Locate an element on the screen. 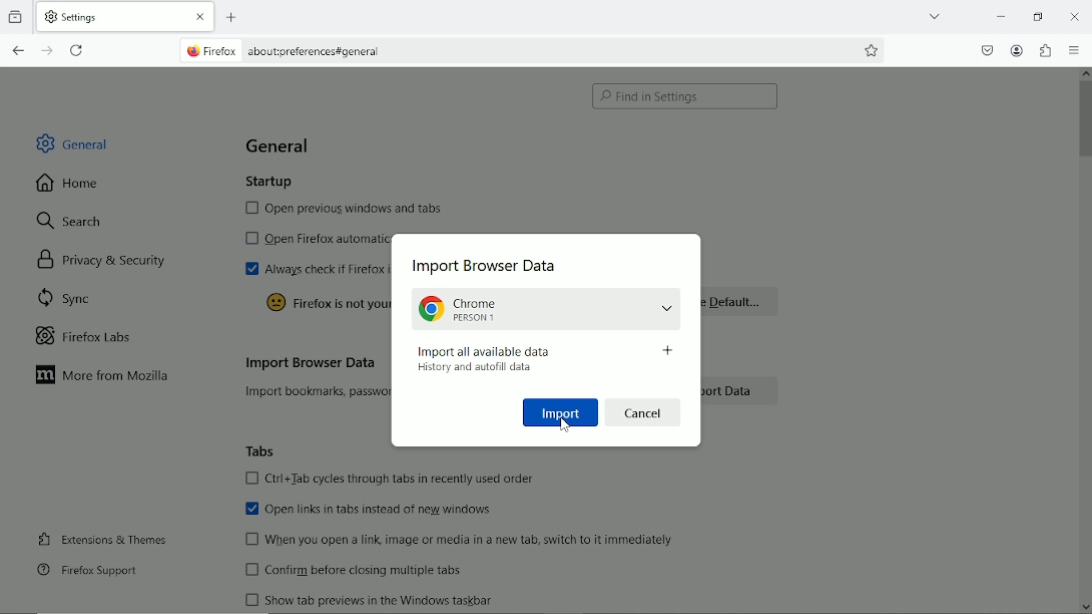 Image resolution: width=1092 pixels, height=614 pixels. When you open a link, image or media in a new tab, switch to it immediately is located at coordinates (469, 541).